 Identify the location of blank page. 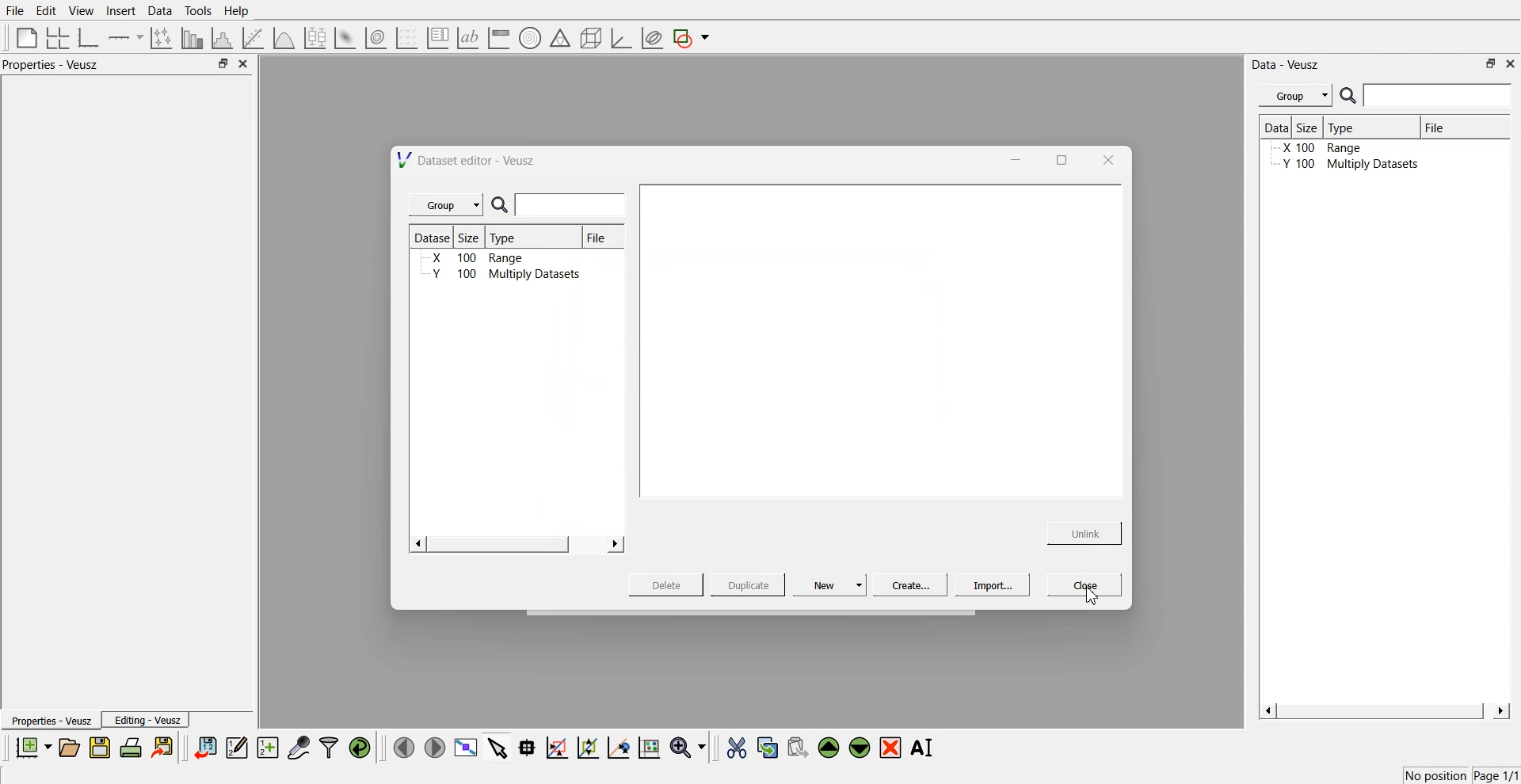
(23, 36).